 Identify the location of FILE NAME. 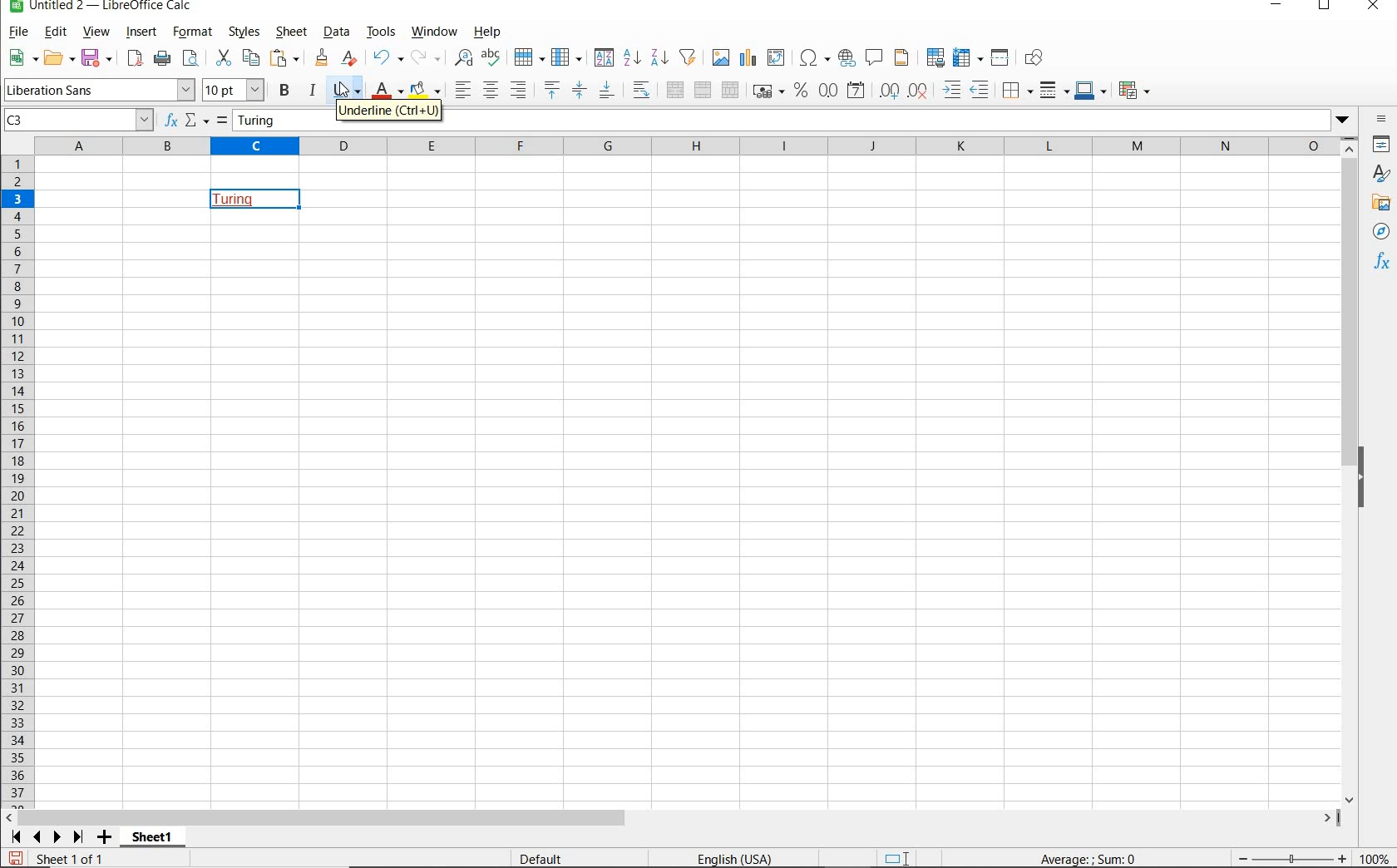
(101, 8).